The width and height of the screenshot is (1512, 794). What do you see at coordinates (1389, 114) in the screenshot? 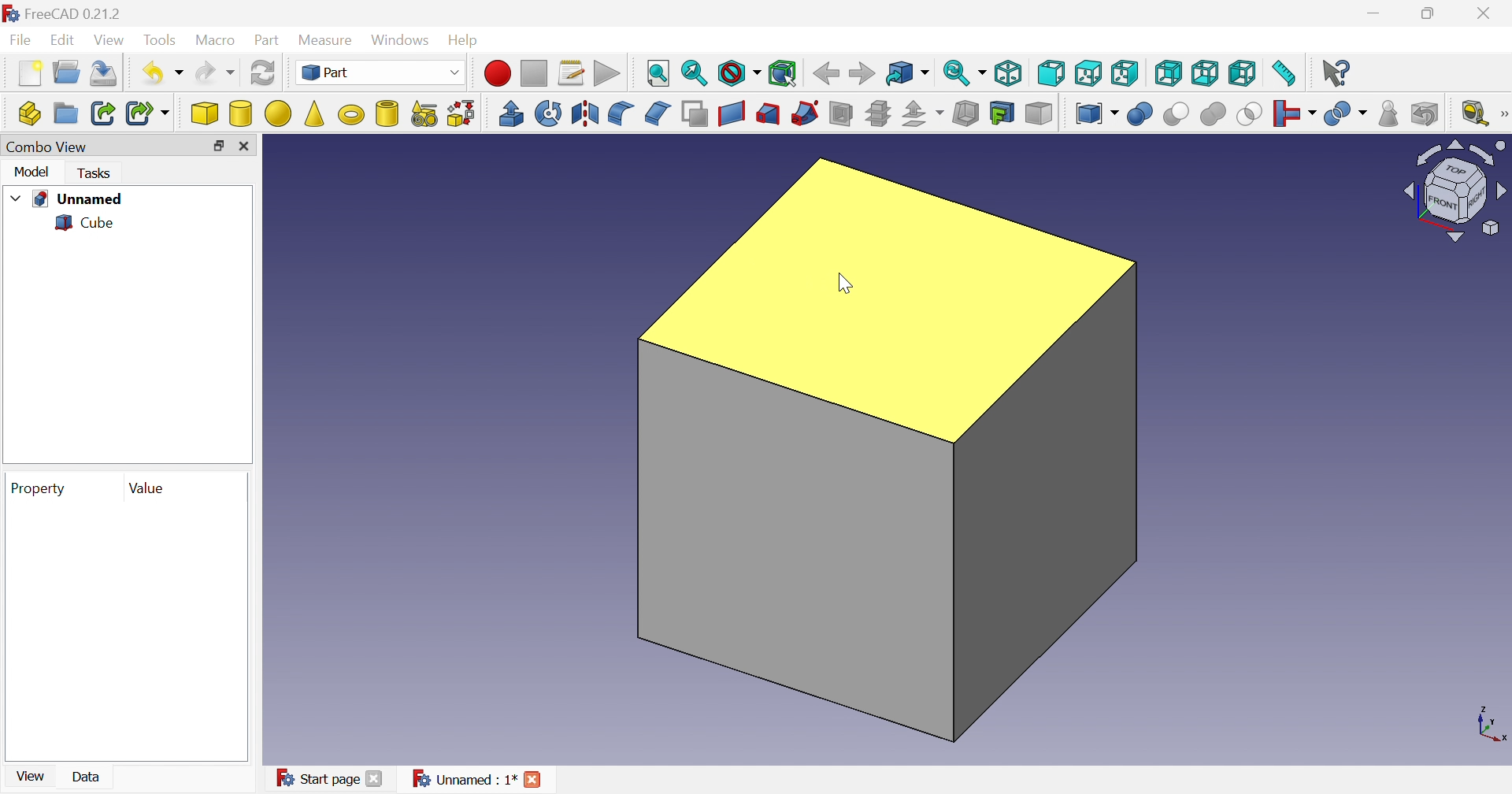
I see `Check geometry` at bounding box center [1389, 114].